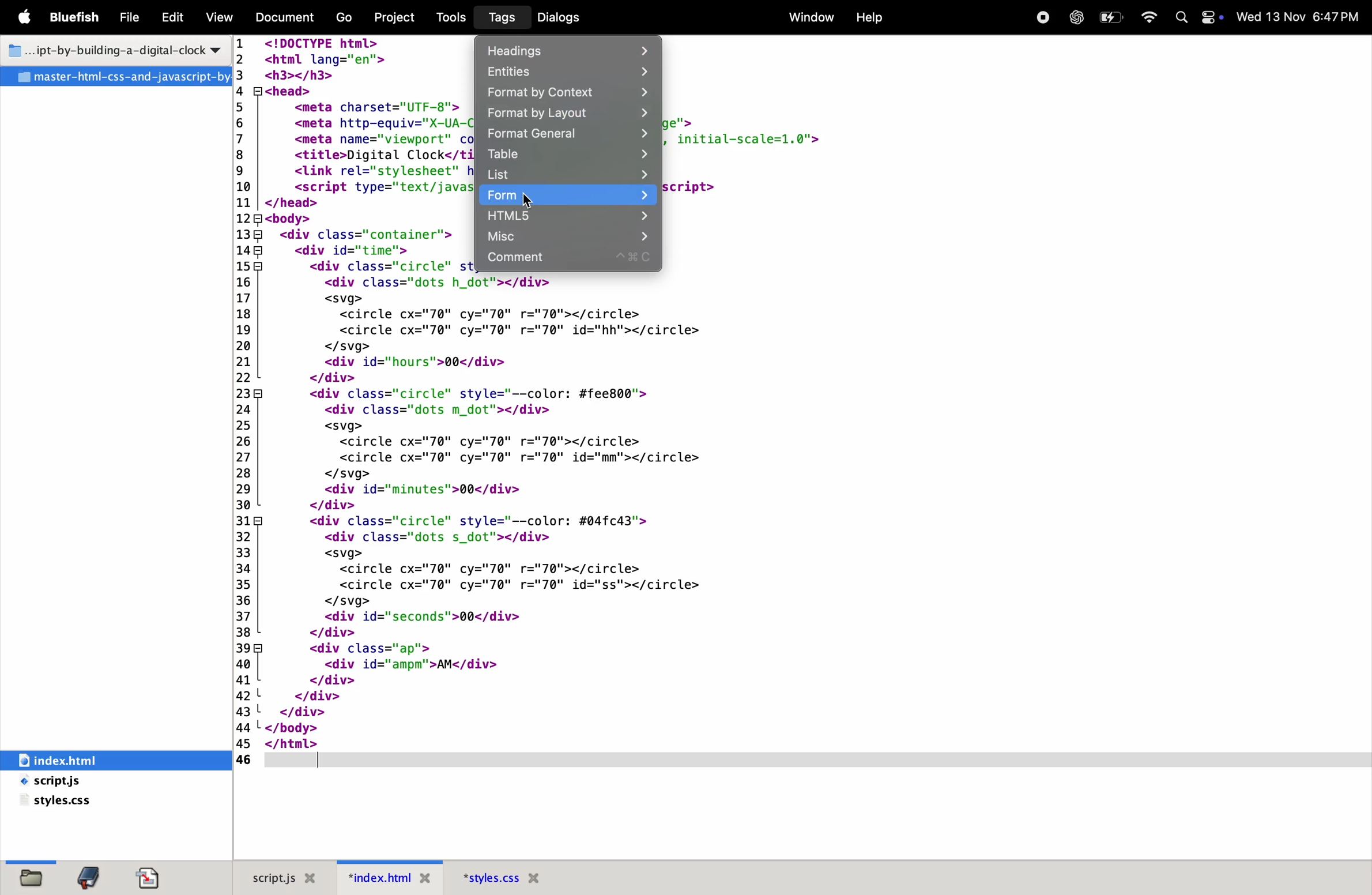 This screenshot has width=1372, height=895. Describe the element at coordinates (571, 260) in the screenshot. I see `comment` at that location.